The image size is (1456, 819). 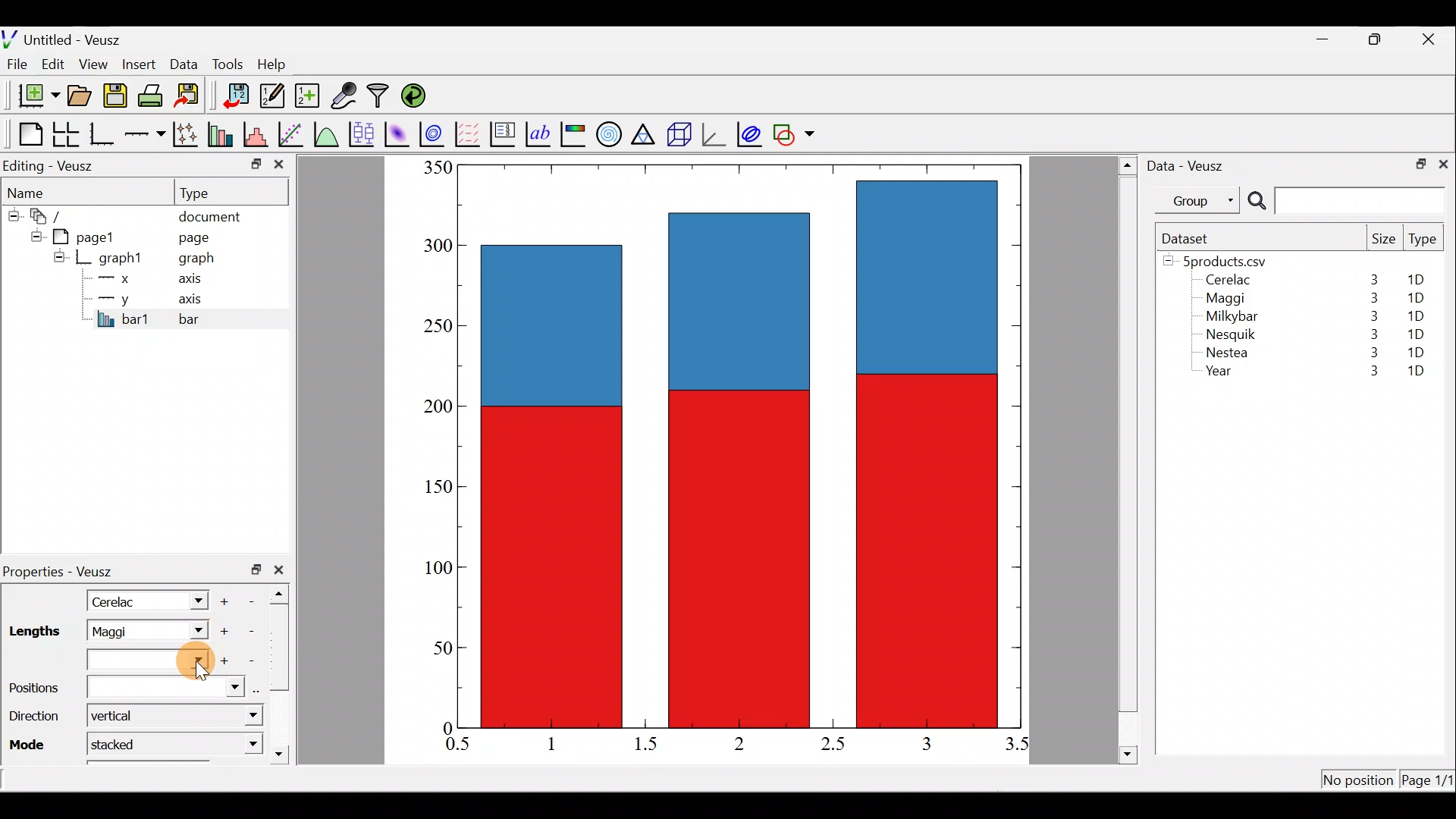 I want to click on Insert, so click(x=141, y=64).